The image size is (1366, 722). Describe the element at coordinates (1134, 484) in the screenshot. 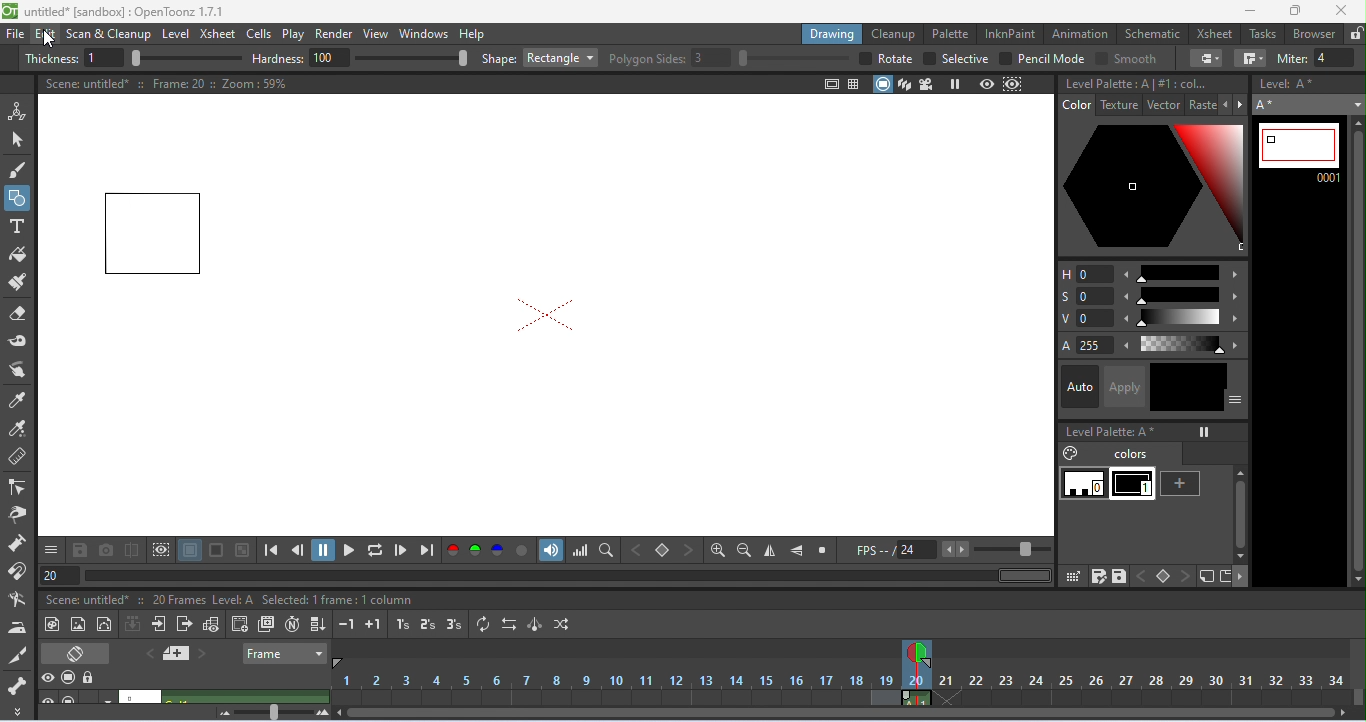

I see `1` at that location.